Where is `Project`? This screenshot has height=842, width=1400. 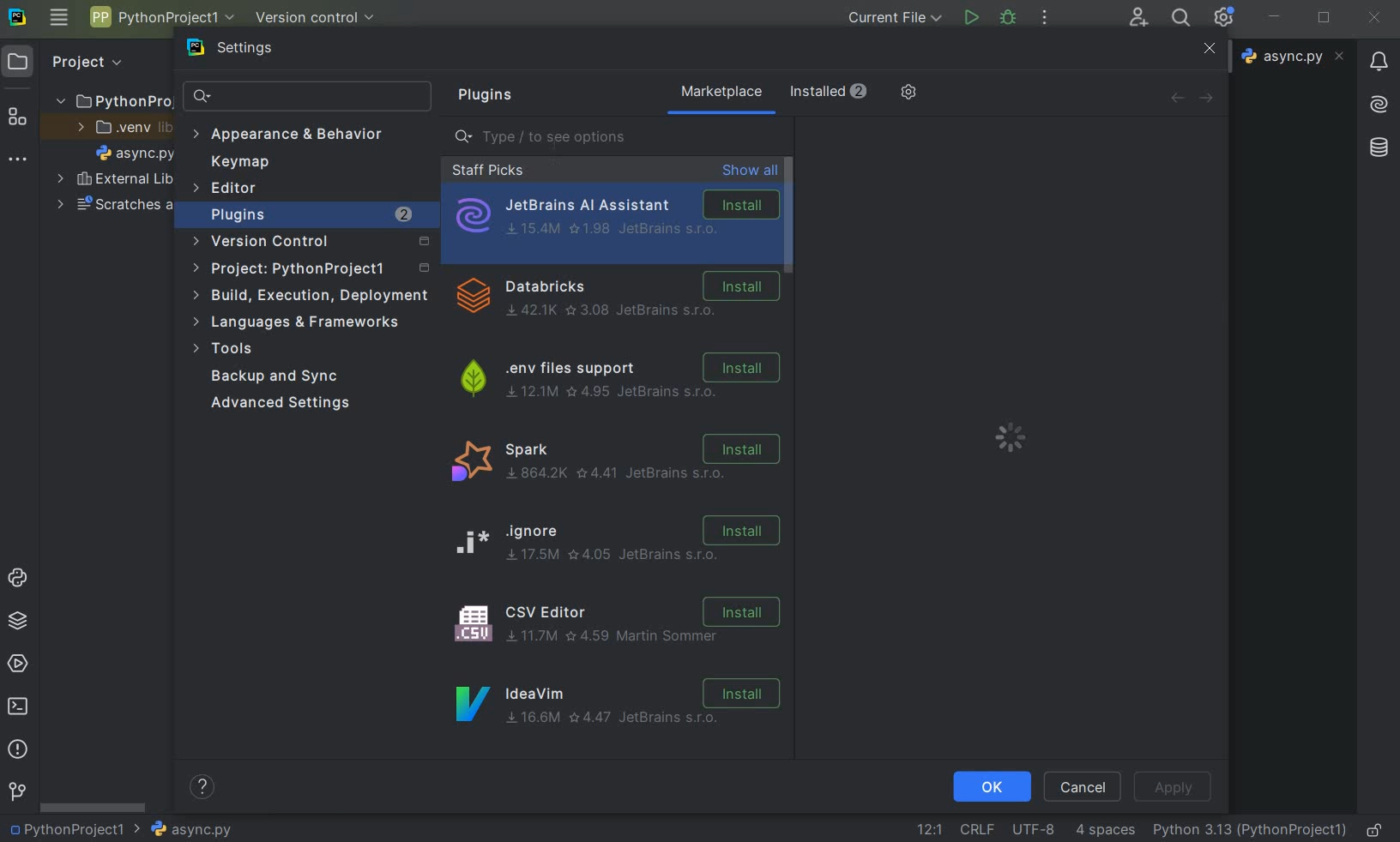 Project is located at coordinates (87, 63).